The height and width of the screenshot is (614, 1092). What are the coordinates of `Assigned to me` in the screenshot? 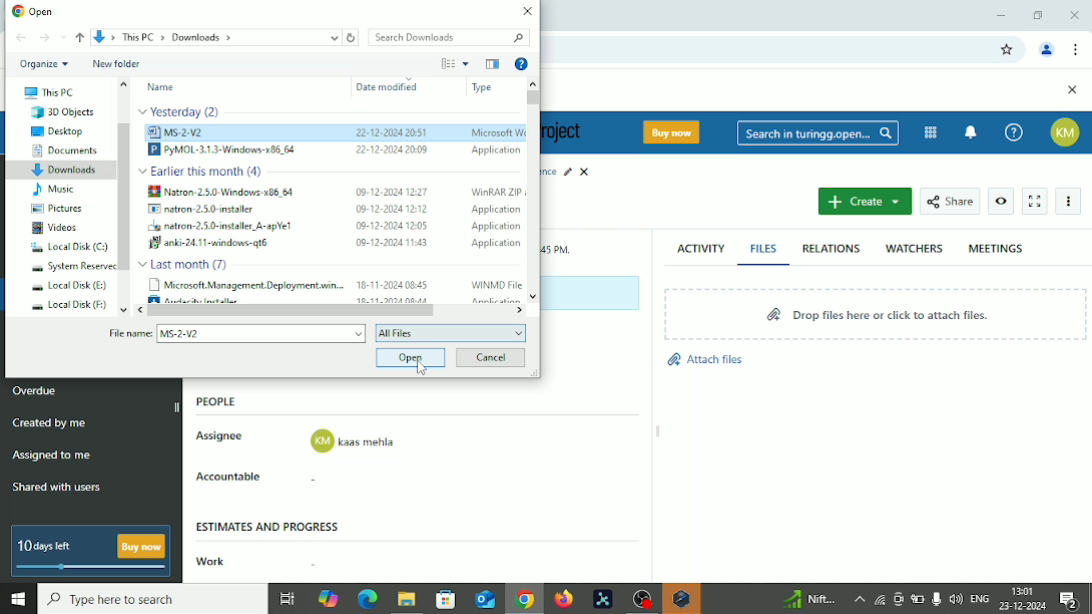 It's located at (52, 454).